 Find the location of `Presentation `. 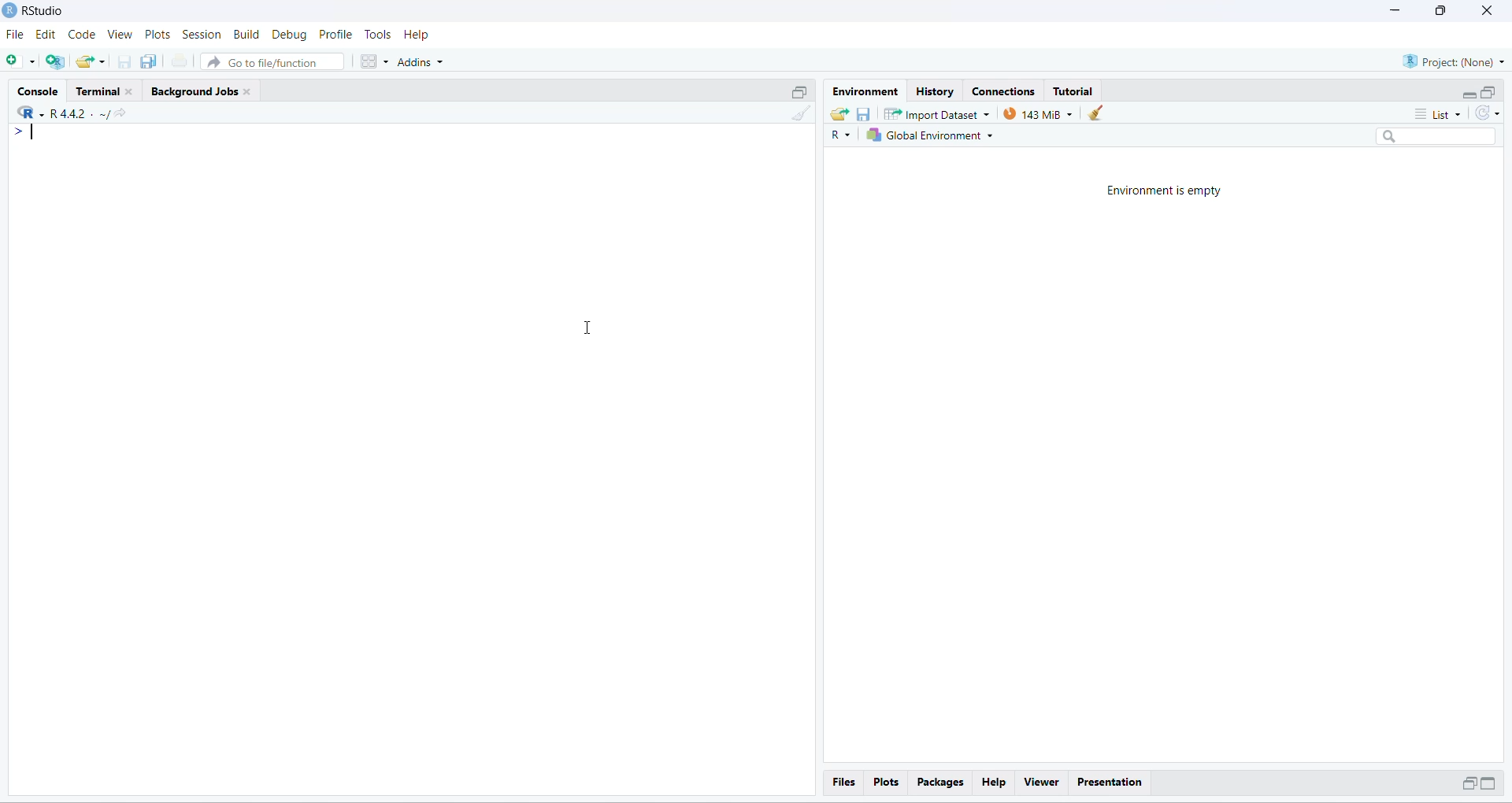

Presentation  is located at coordinates (1110, 783).